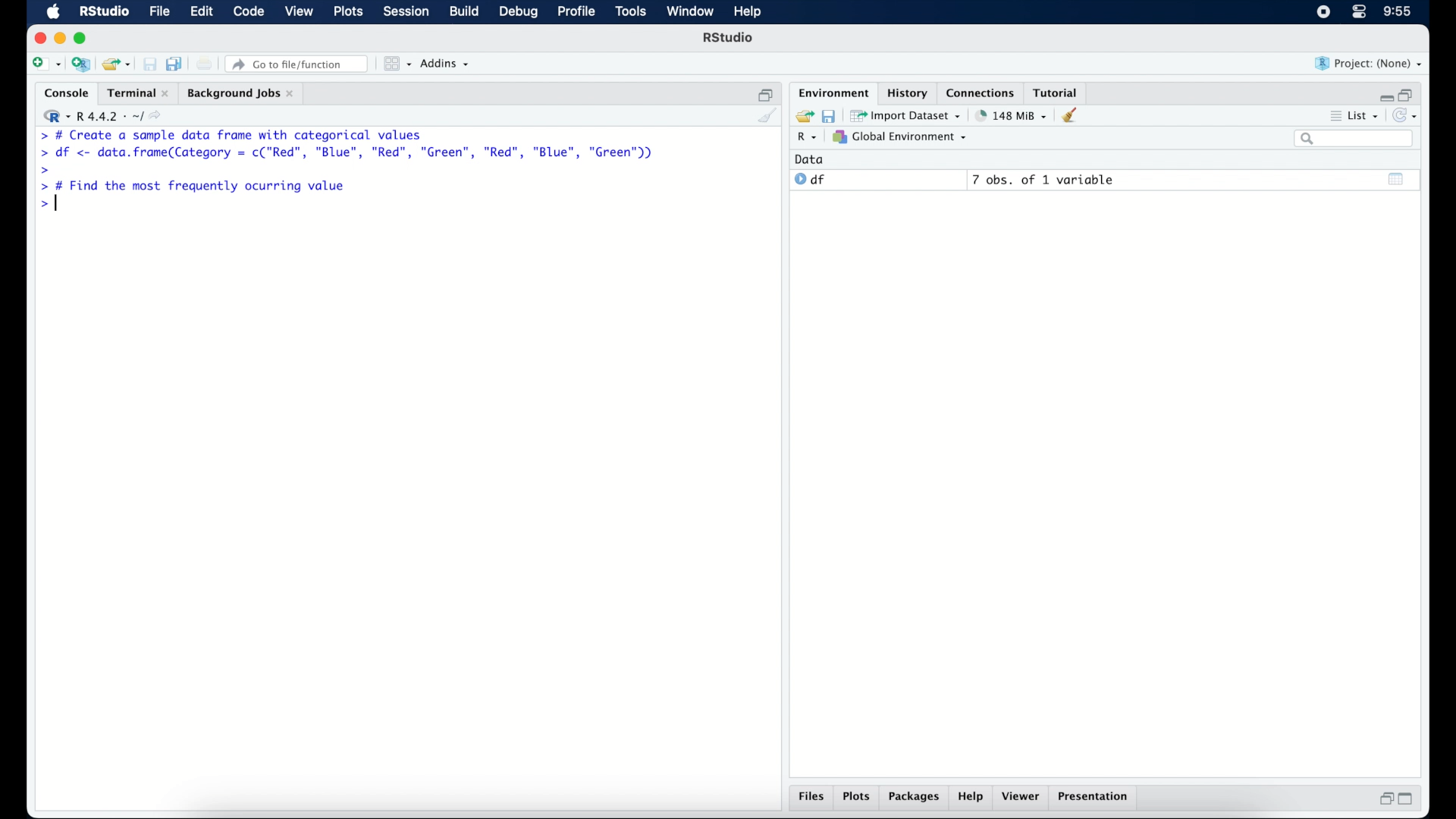 The height and width of the screenshot is (819, 1456). I want to click on clear, so click(1075, 116).